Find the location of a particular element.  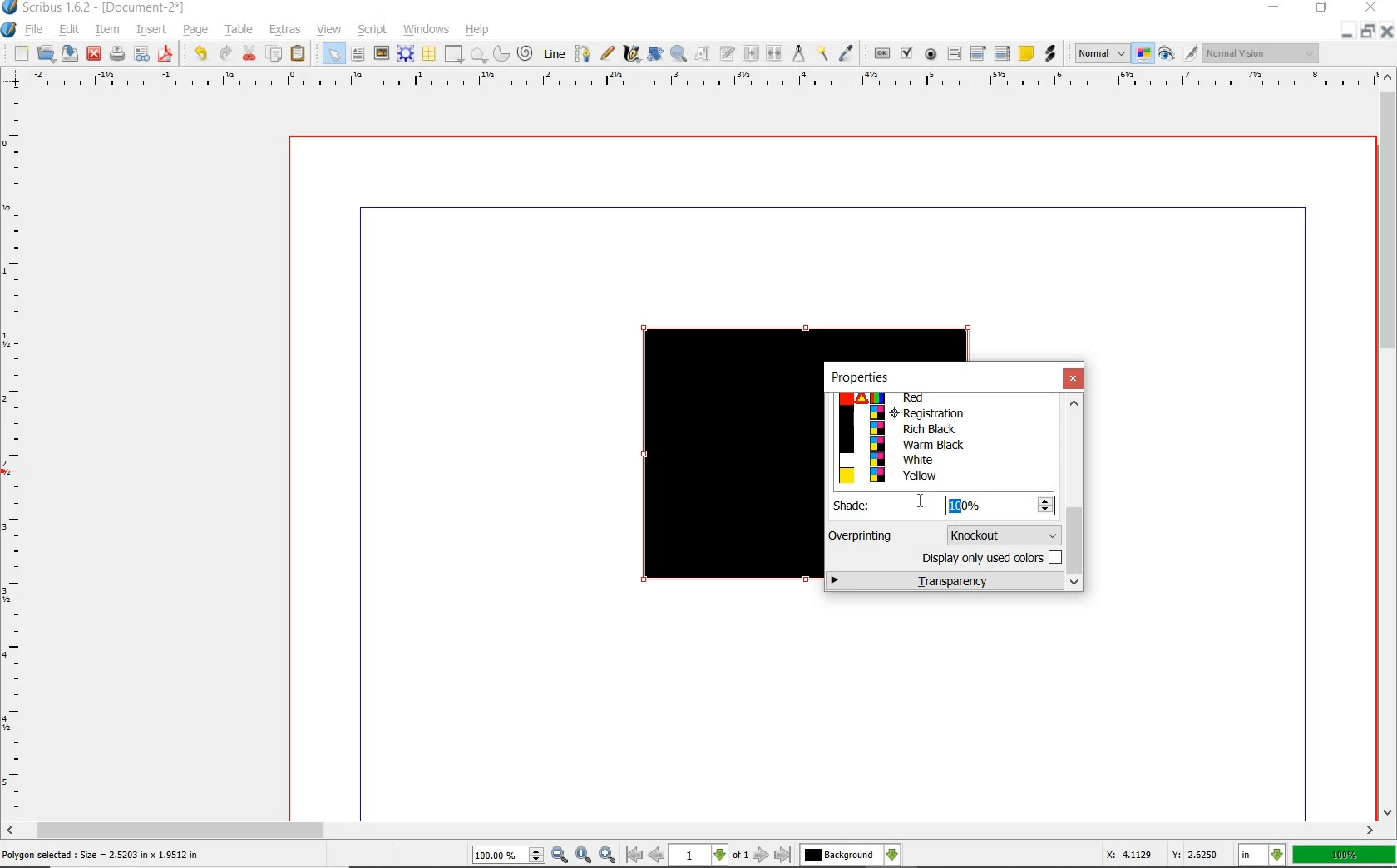

zoom in or out is located at coordinates (679, 53).